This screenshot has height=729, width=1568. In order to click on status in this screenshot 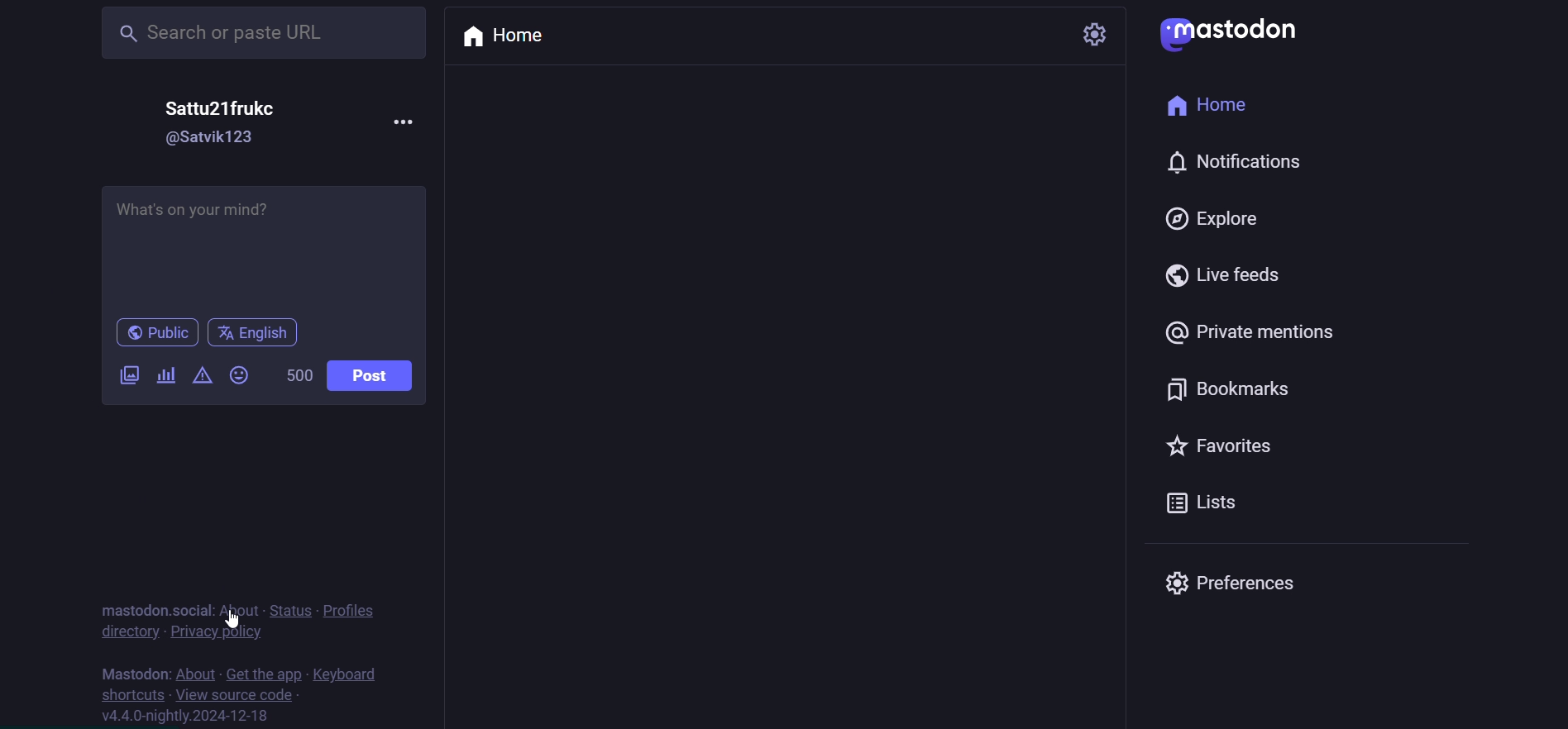, I will do `click(287, 608)`.